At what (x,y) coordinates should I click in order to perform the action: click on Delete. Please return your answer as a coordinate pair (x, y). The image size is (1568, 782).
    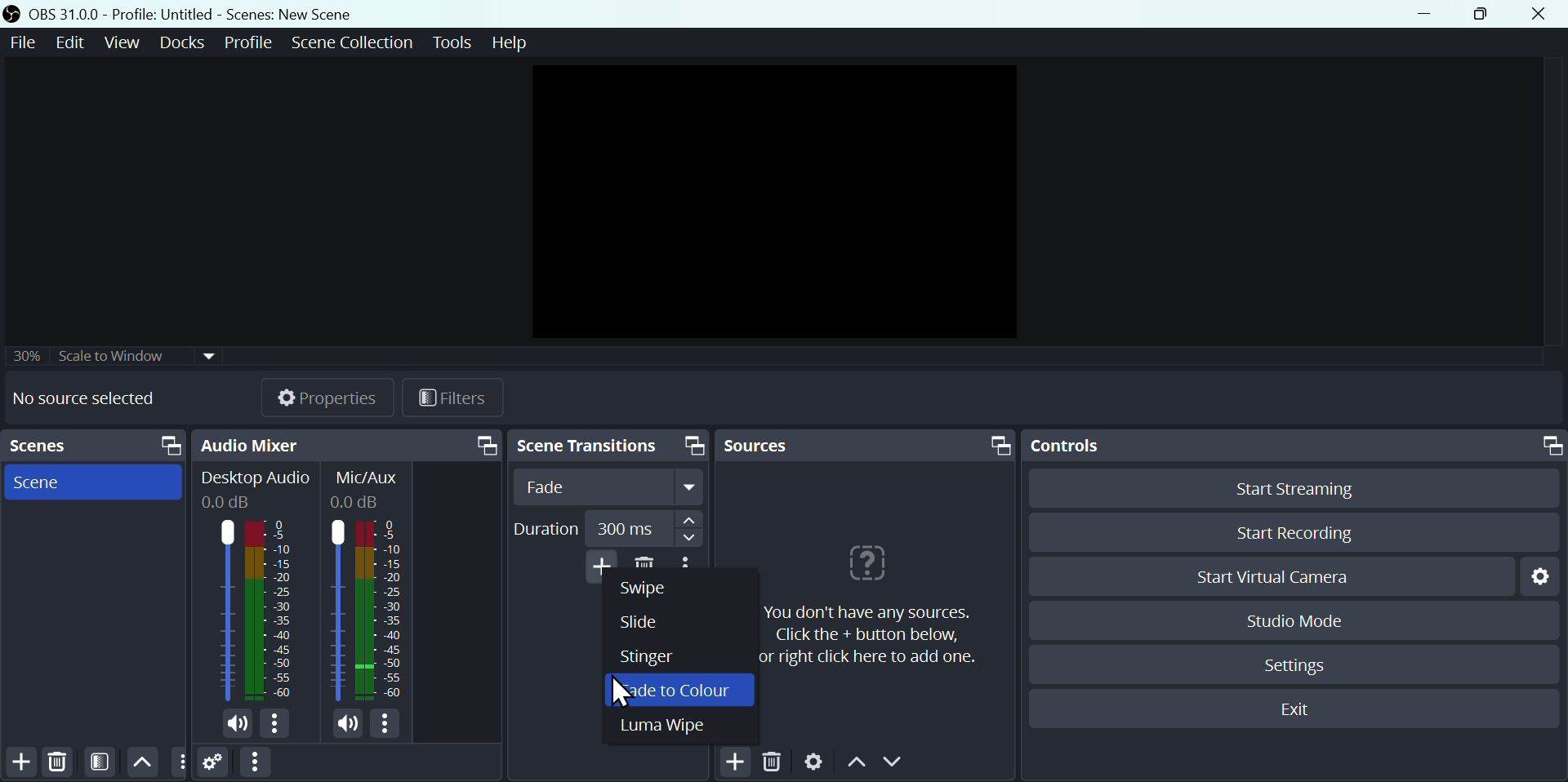
    Looking at the image, I should click on (777, 762).